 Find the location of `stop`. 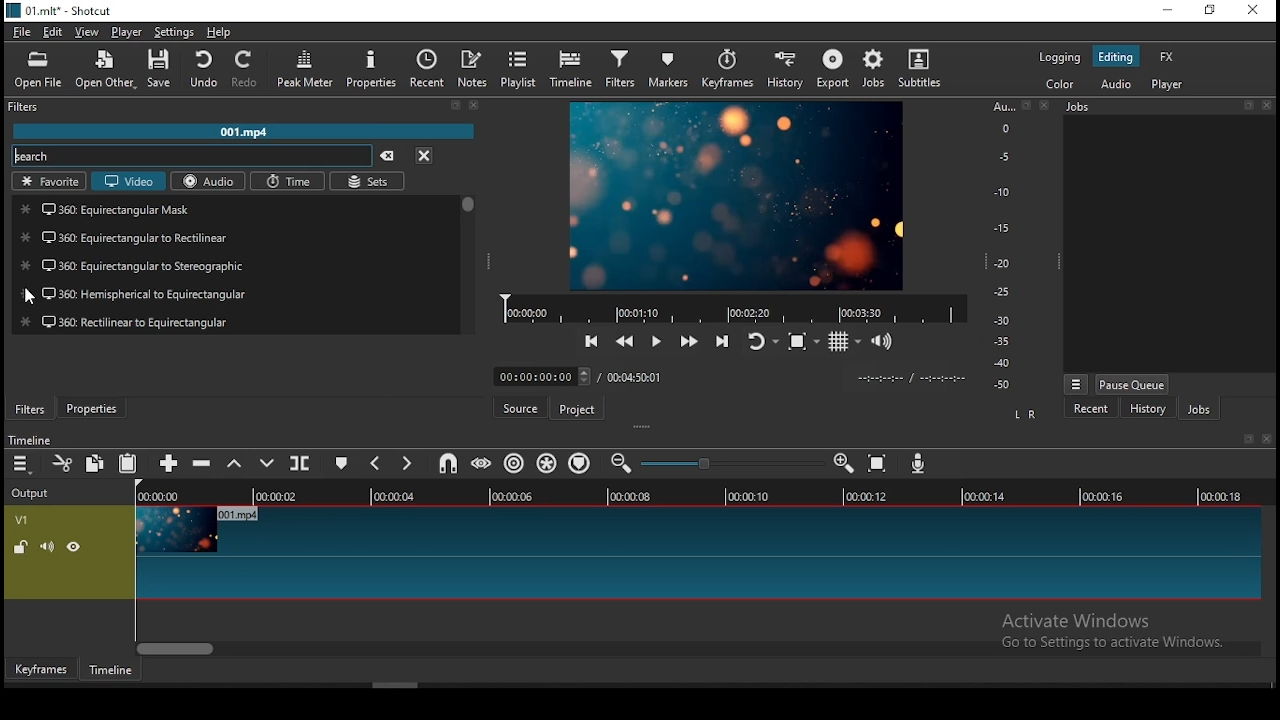

stop is located at coordinates (803, 344).